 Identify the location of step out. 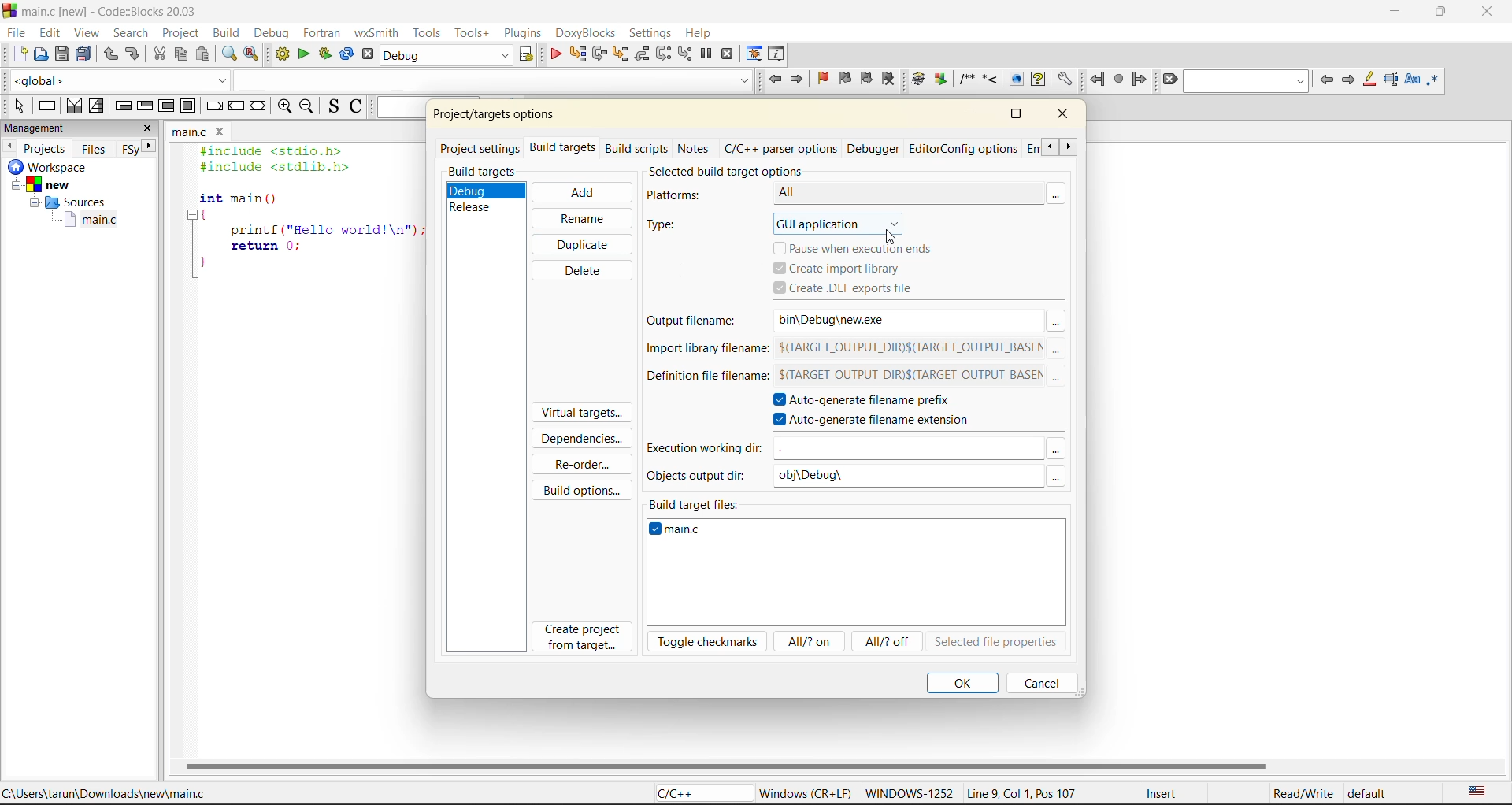
(643, 54).